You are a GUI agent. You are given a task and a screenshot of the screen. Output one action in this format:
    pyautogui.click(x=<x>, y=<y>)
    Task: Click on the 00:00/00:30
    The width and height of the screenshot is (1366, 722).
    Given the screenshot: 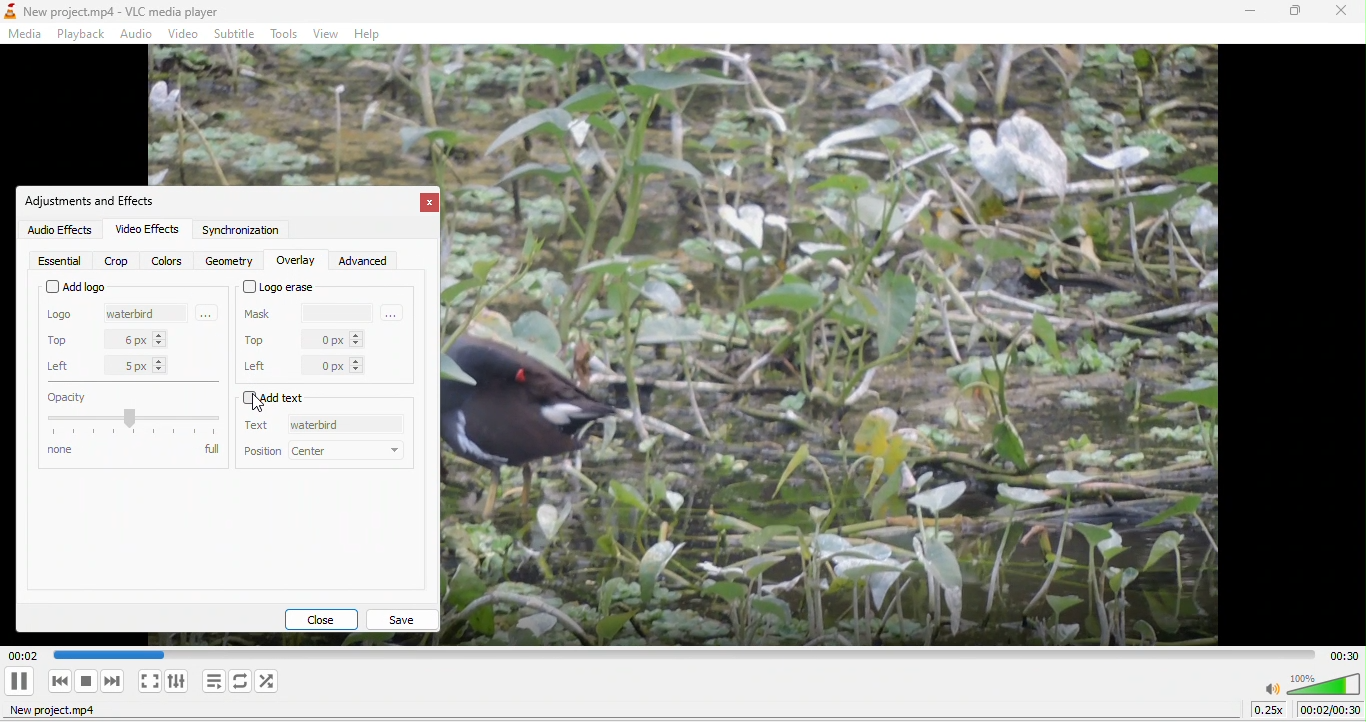 What is the action you would take?
    pyautogui.click(x=1330, y=710)
    